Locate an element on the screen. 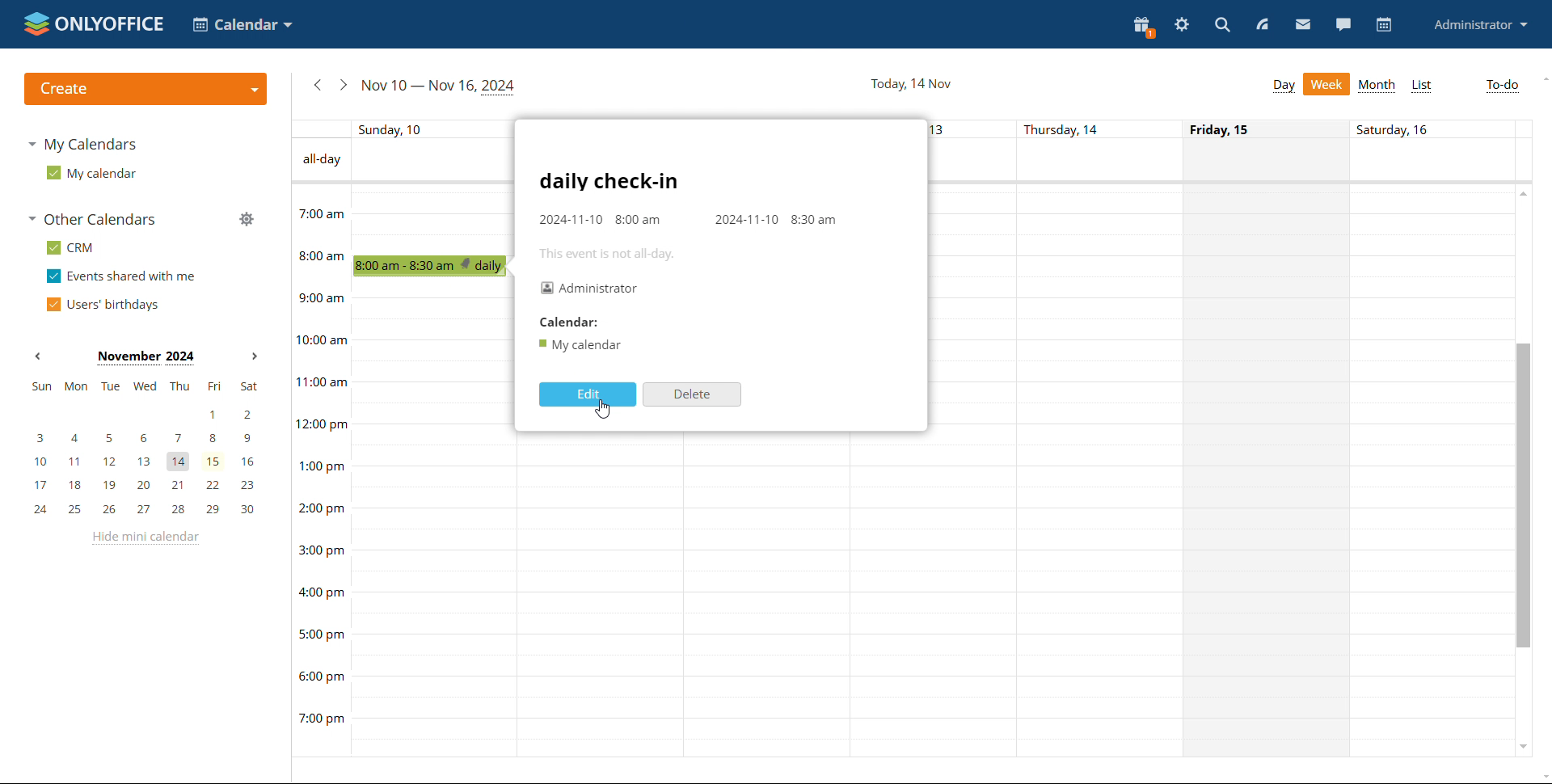  calendar: is located at coordinates (571, 321).